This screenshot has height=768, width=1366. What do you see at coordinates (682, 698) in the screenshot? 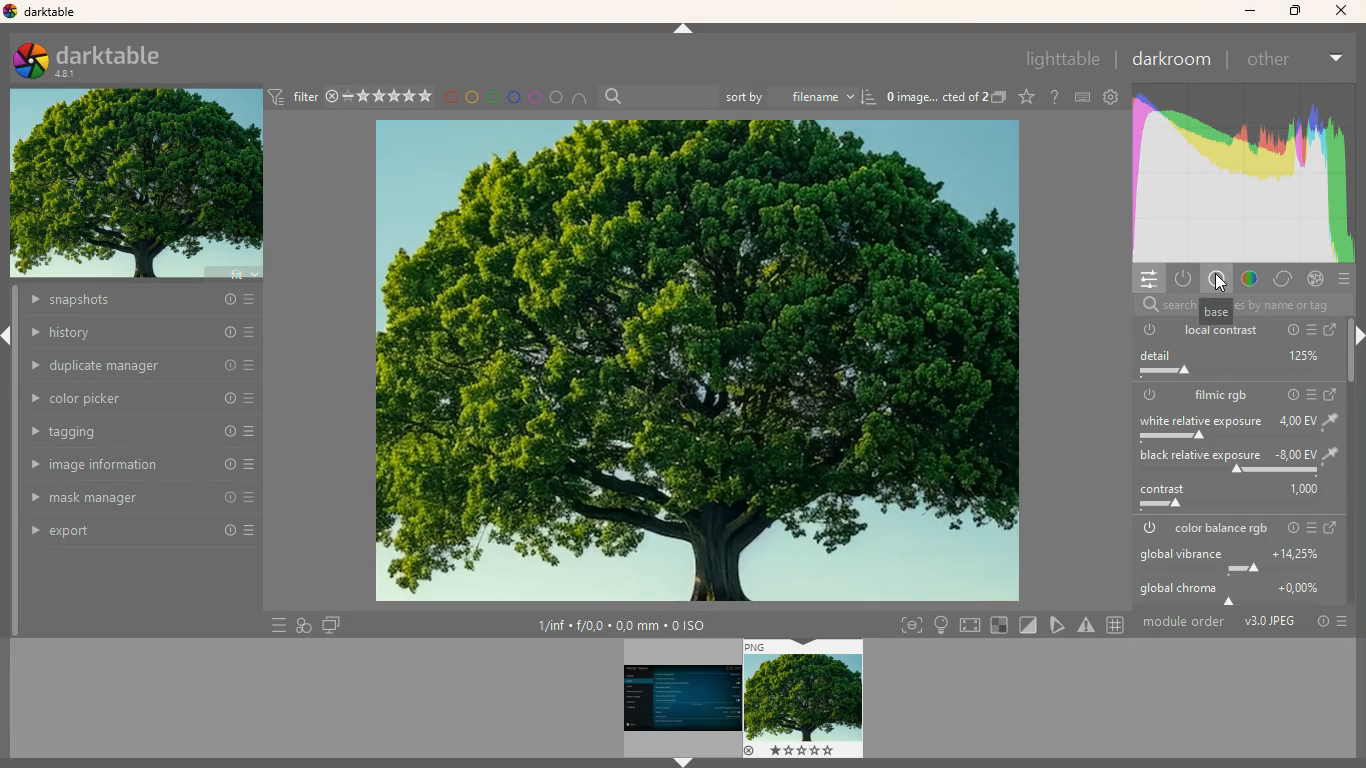
I see `image` at bounding box center [682, 698].